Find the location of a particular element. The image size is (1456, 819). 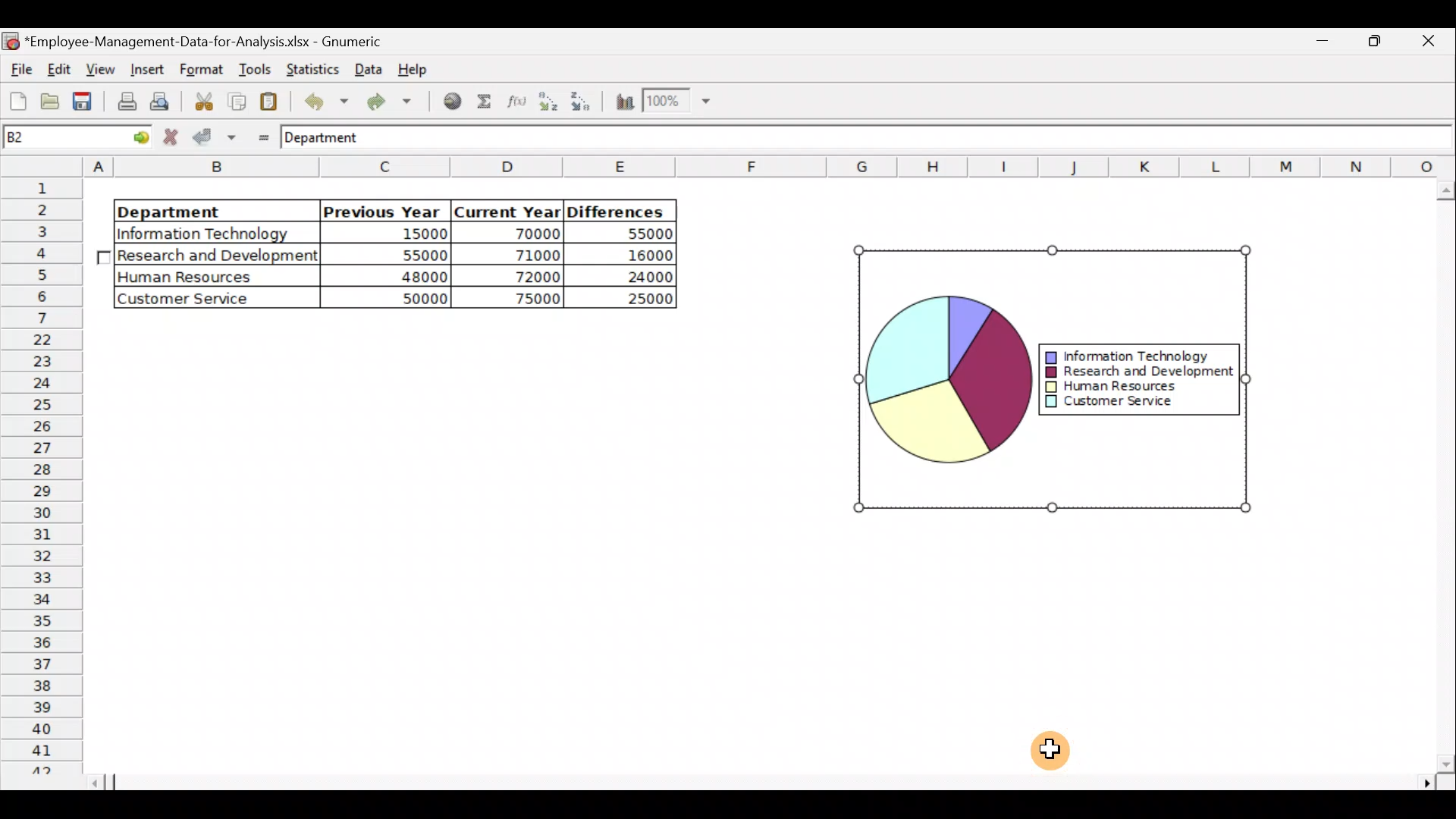

 Customer Service is located at coordinates (1121, 403).